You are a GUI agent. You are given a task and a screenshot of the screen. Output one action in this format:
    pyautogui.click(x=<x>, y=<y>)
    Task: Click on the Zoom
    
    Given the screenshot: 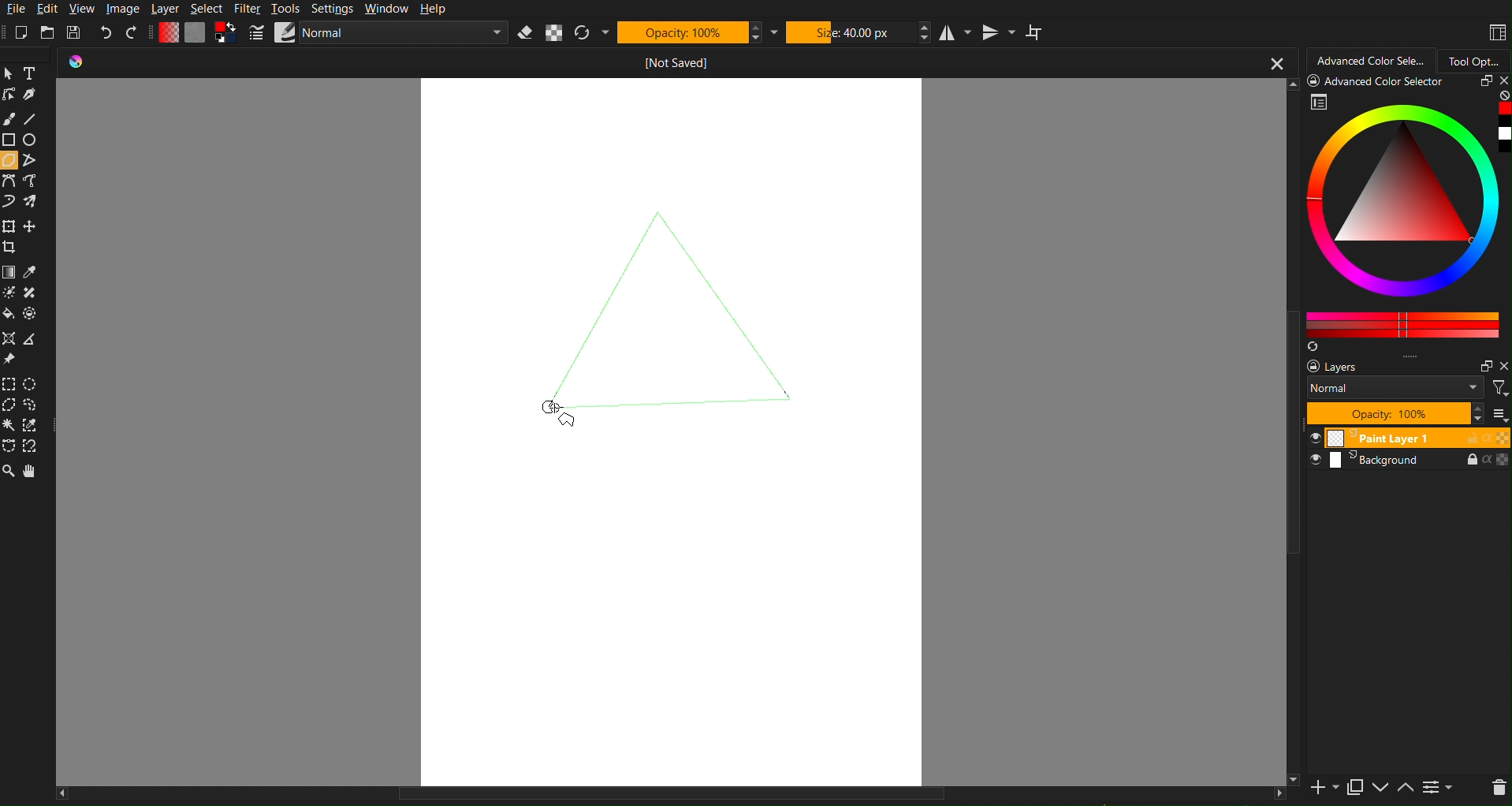 What is the action you would take?
    pyautogui.click(x=10, y=470)
    